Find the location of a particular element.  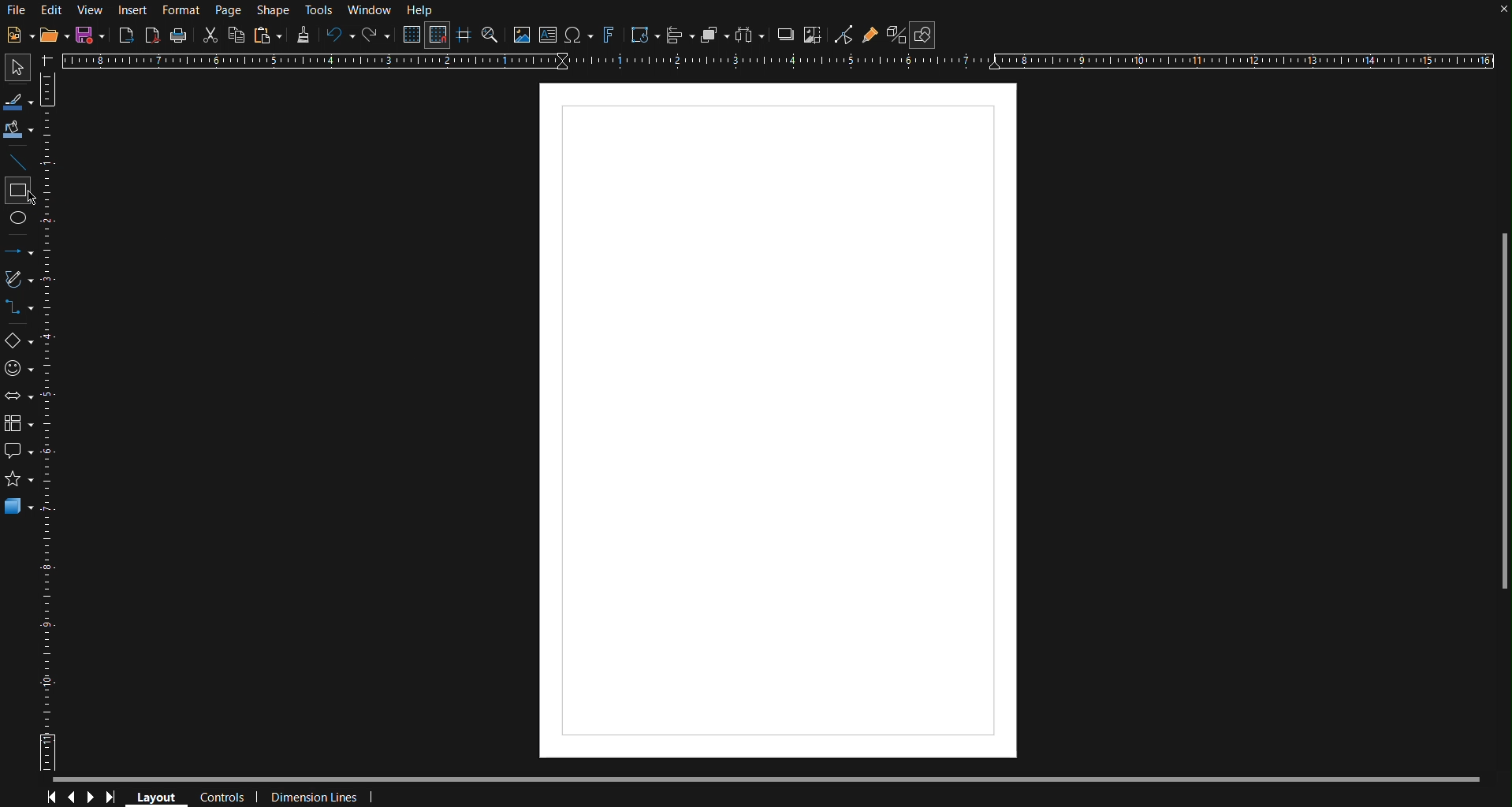

Distribute objects is located at coordinates (750, 35).